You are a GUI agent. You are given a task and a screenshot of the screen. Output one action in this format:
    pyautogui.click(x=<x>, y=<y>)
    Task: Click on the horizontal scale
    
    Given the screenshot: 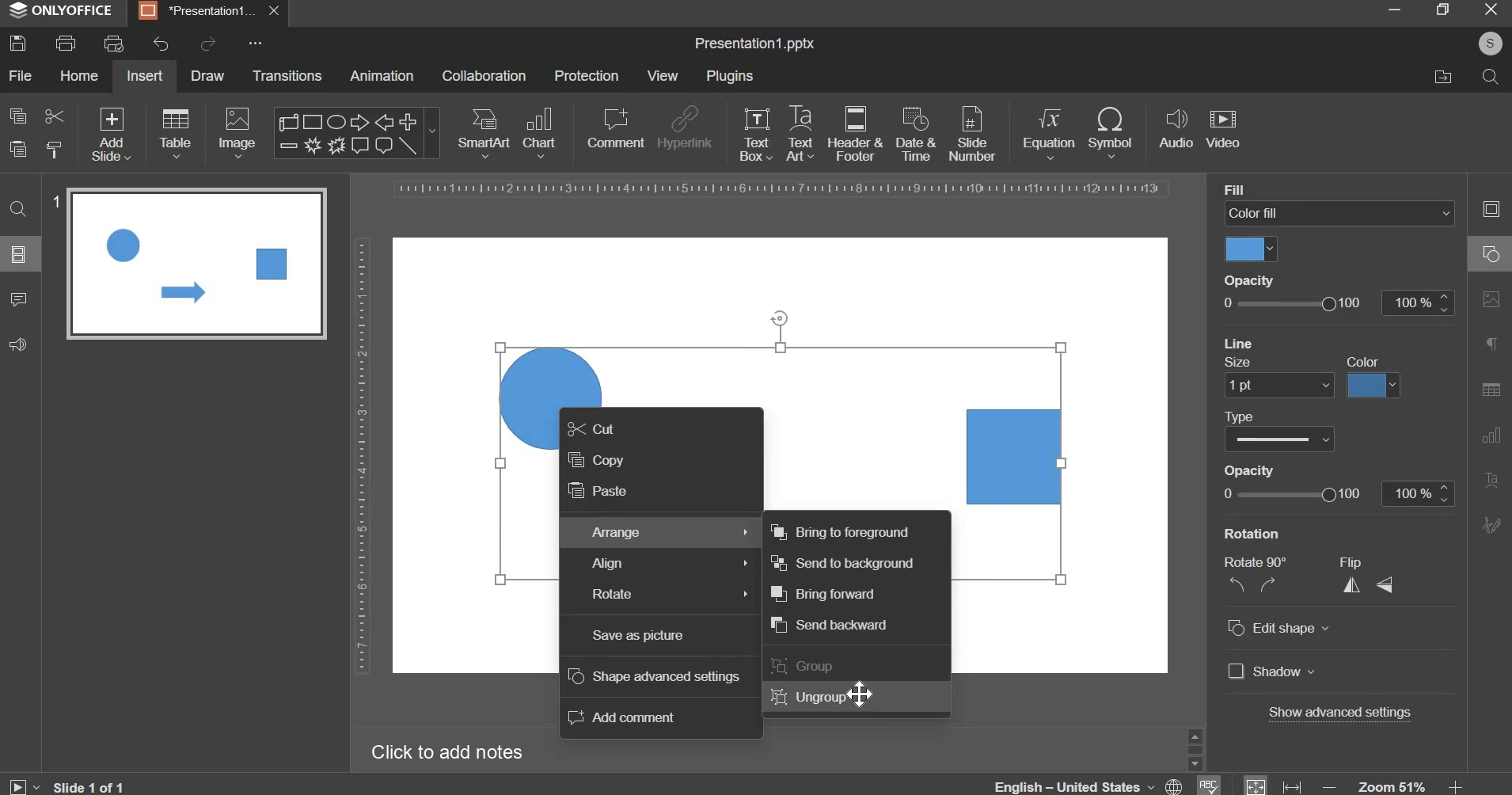 What is the action you would take?
    pyautogui.click(x=783, y=189)
    